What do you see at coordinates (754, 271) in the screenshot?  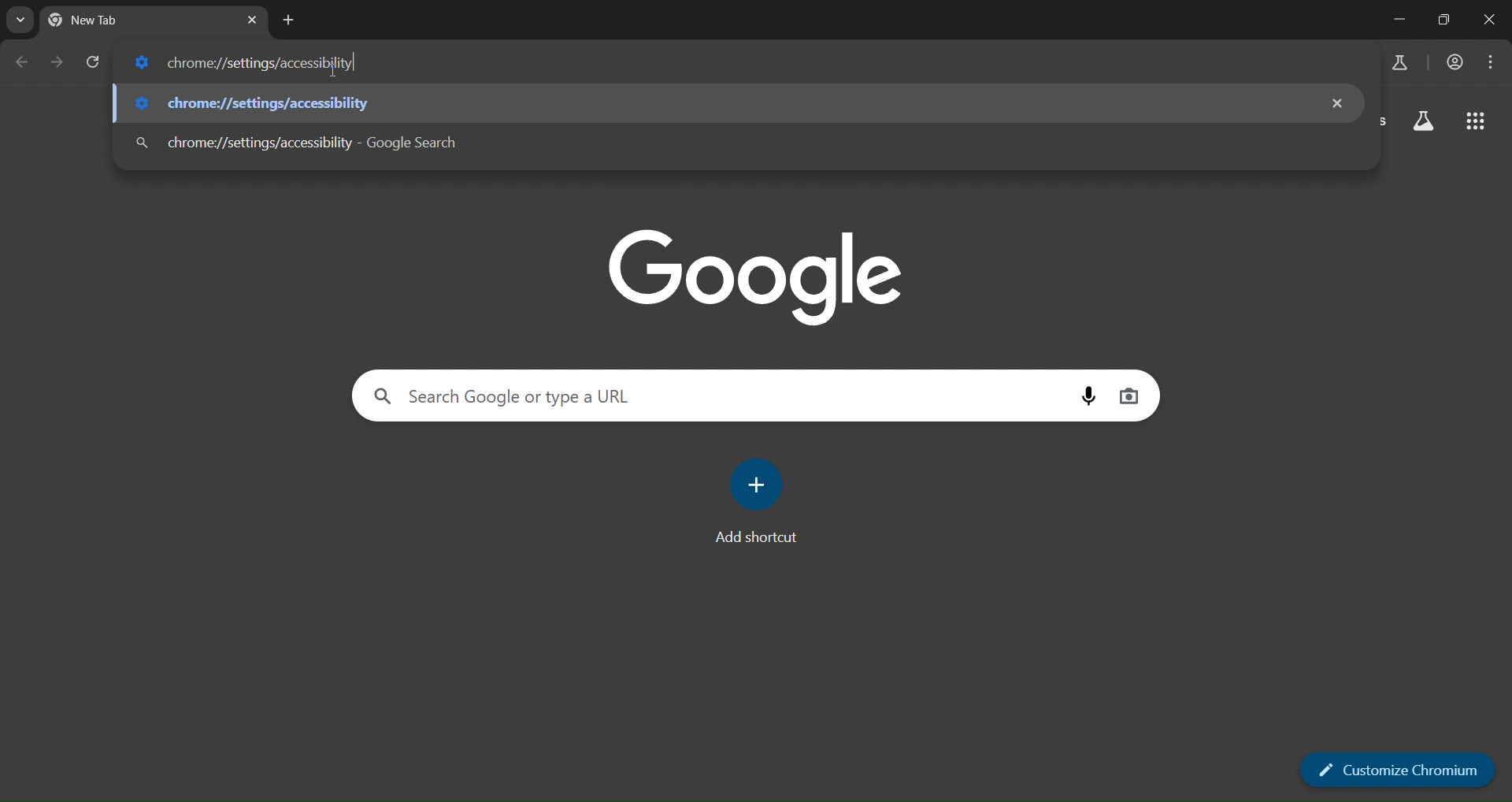 I see `google` at bounding box center [754, 271].